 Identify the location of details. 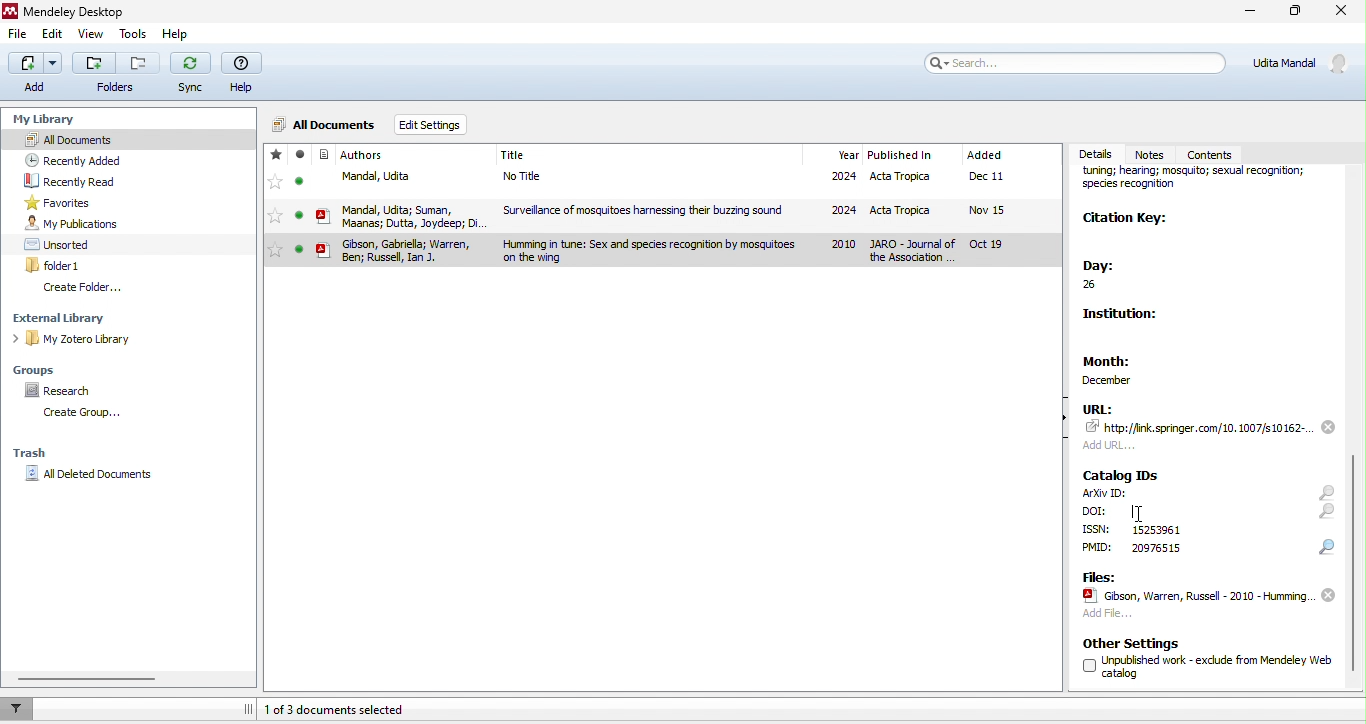
(1098, 154).